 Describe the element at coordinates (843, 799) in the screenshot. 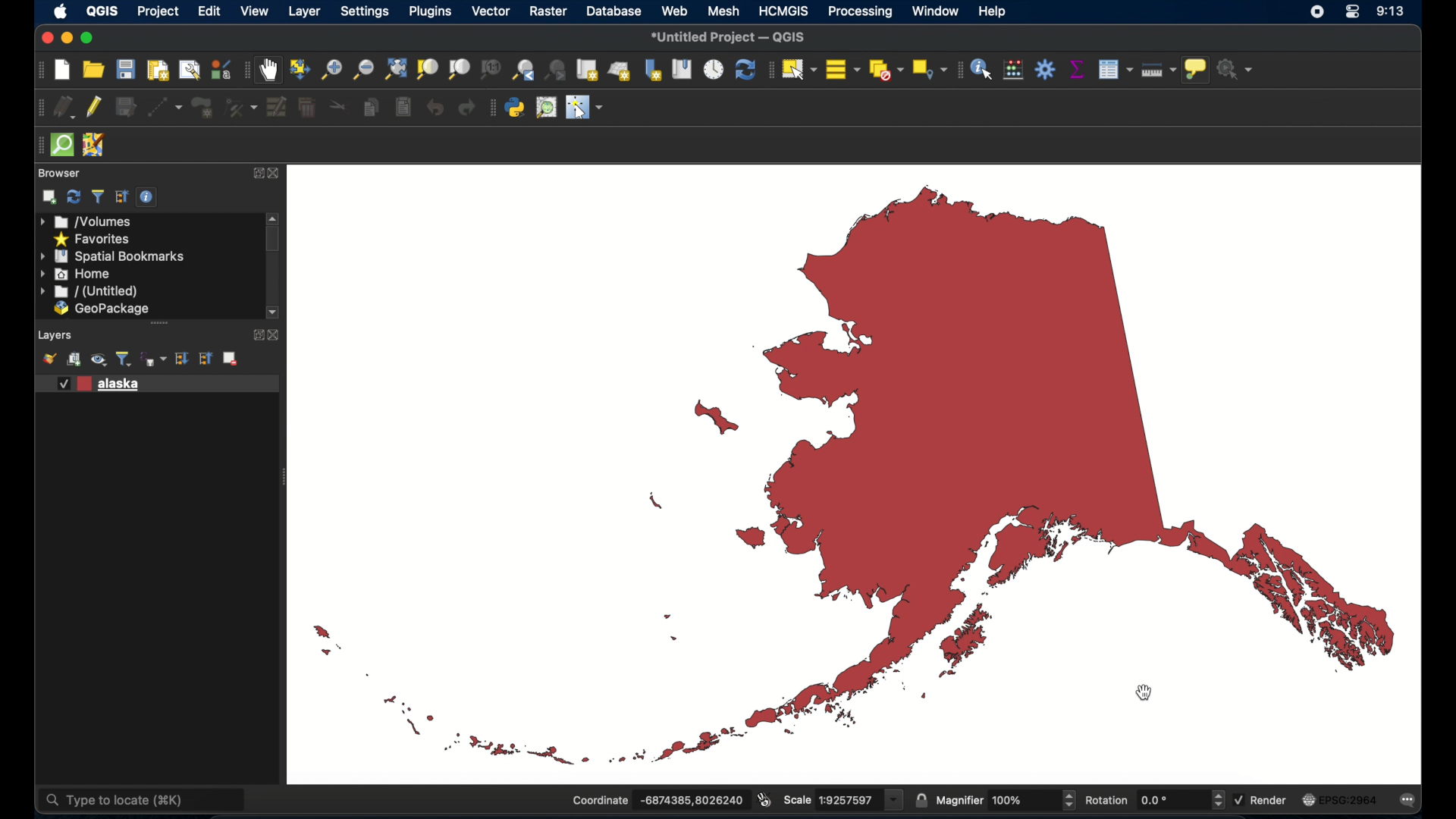

I see `scale` at that location.